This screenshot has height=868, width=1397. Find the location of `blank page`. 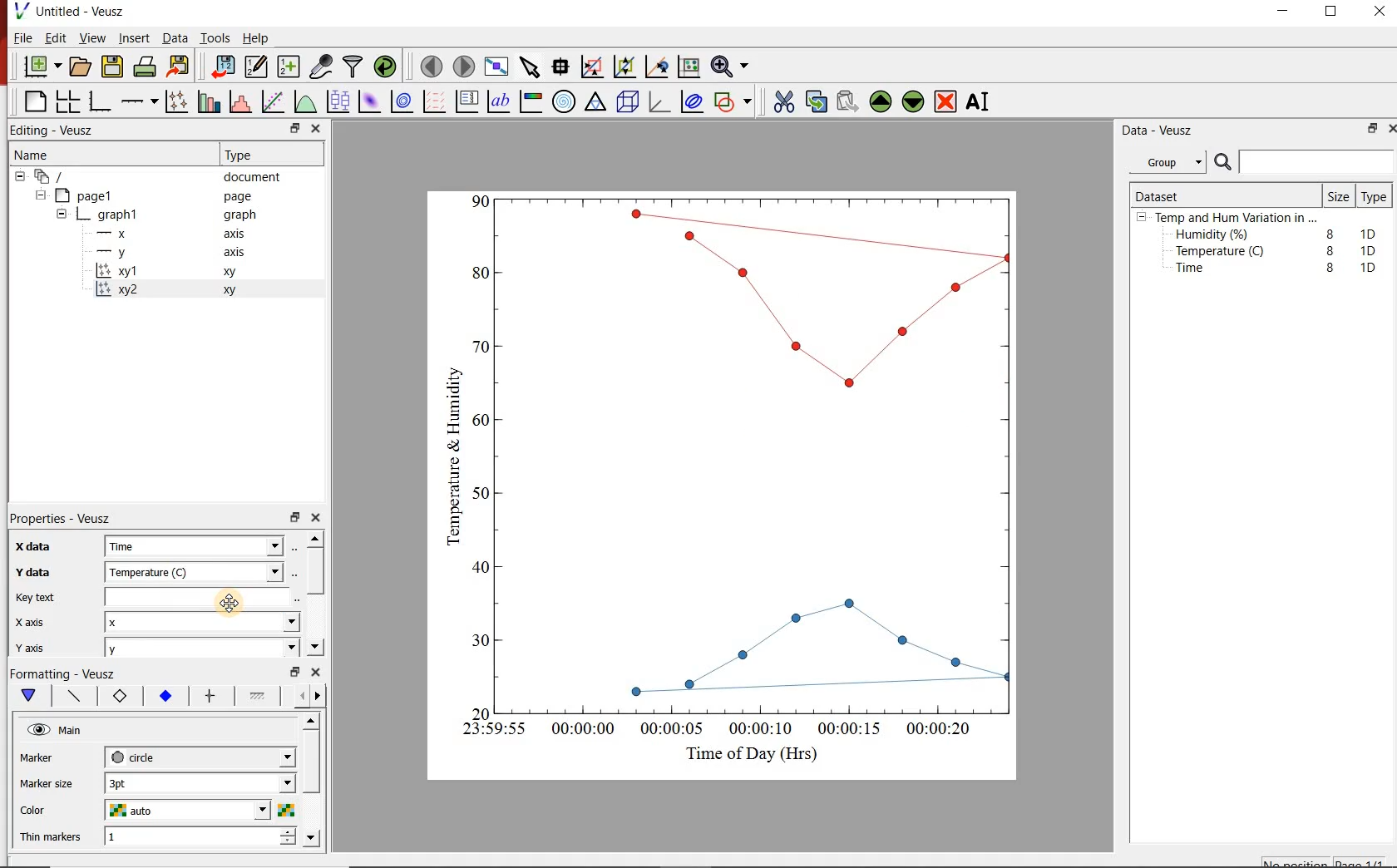

blank page is located at coordinates (33, 100).